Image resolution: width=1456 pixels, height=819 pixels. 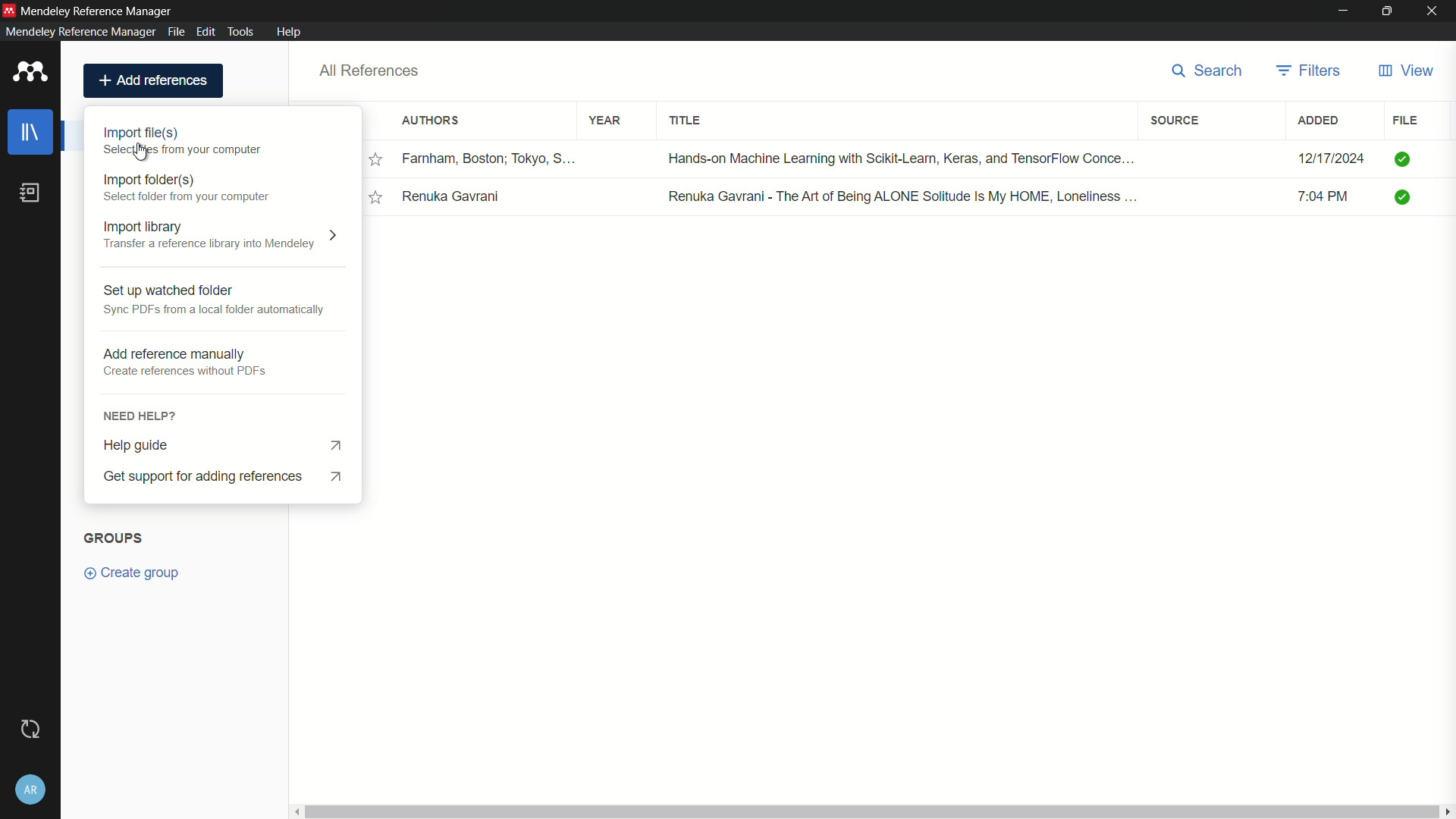 I want to click on Farnham, Boston; Tokyo, S..., so click(x=491, y=158).